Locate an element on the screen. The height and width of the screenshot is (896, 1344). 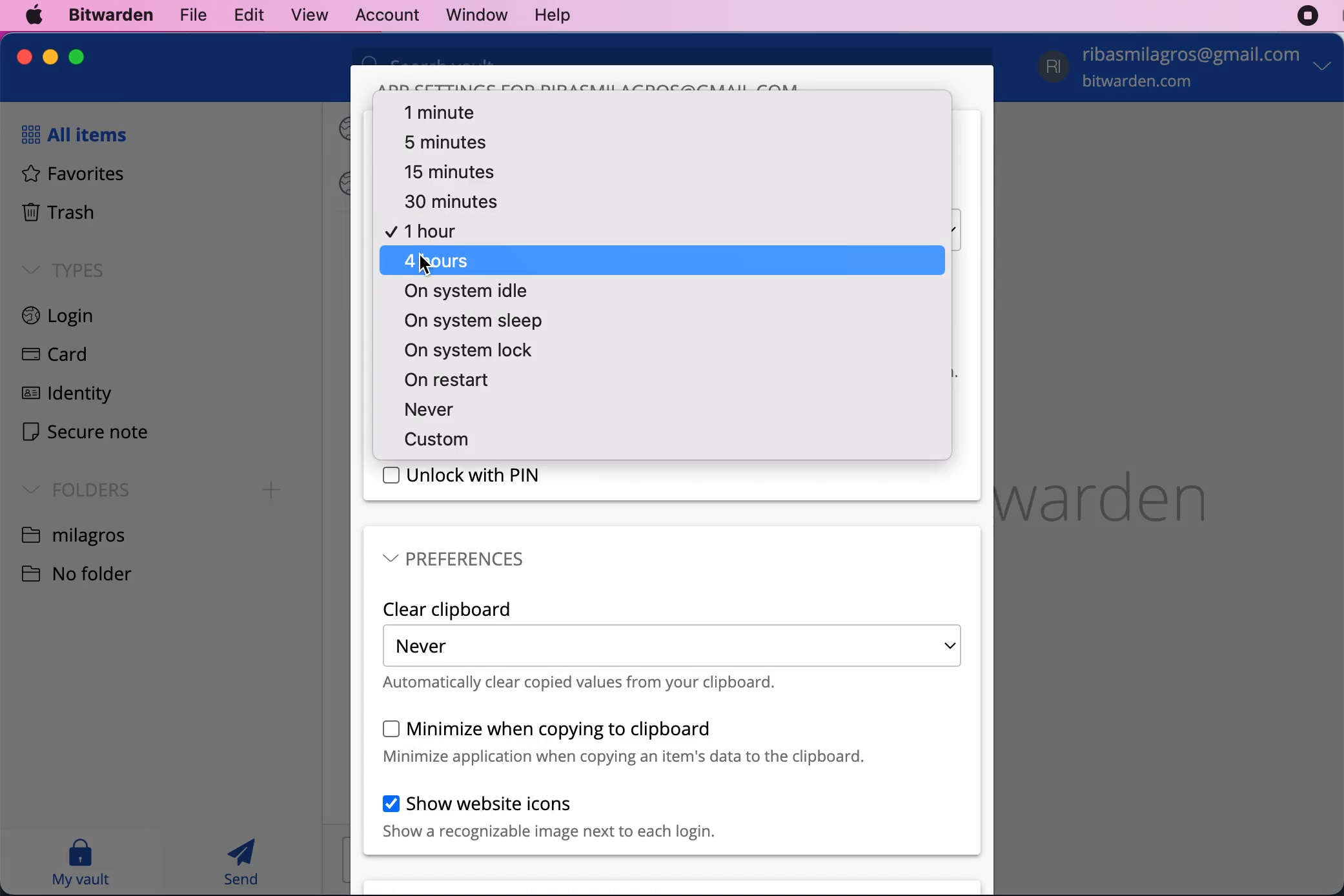
close is located at coordinates (25, 57).